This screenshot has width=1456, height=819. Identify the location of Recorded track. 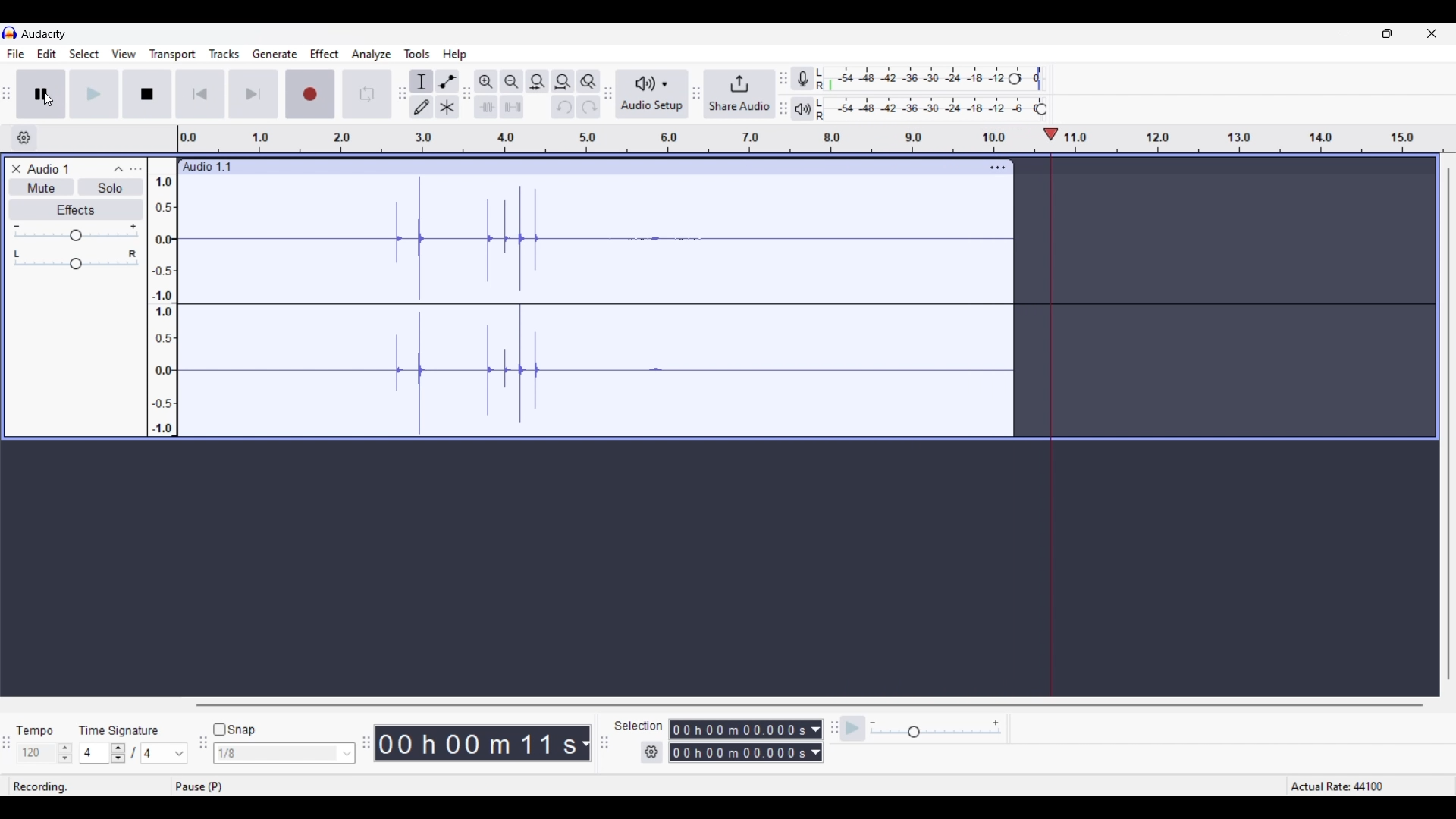
(595, 305).